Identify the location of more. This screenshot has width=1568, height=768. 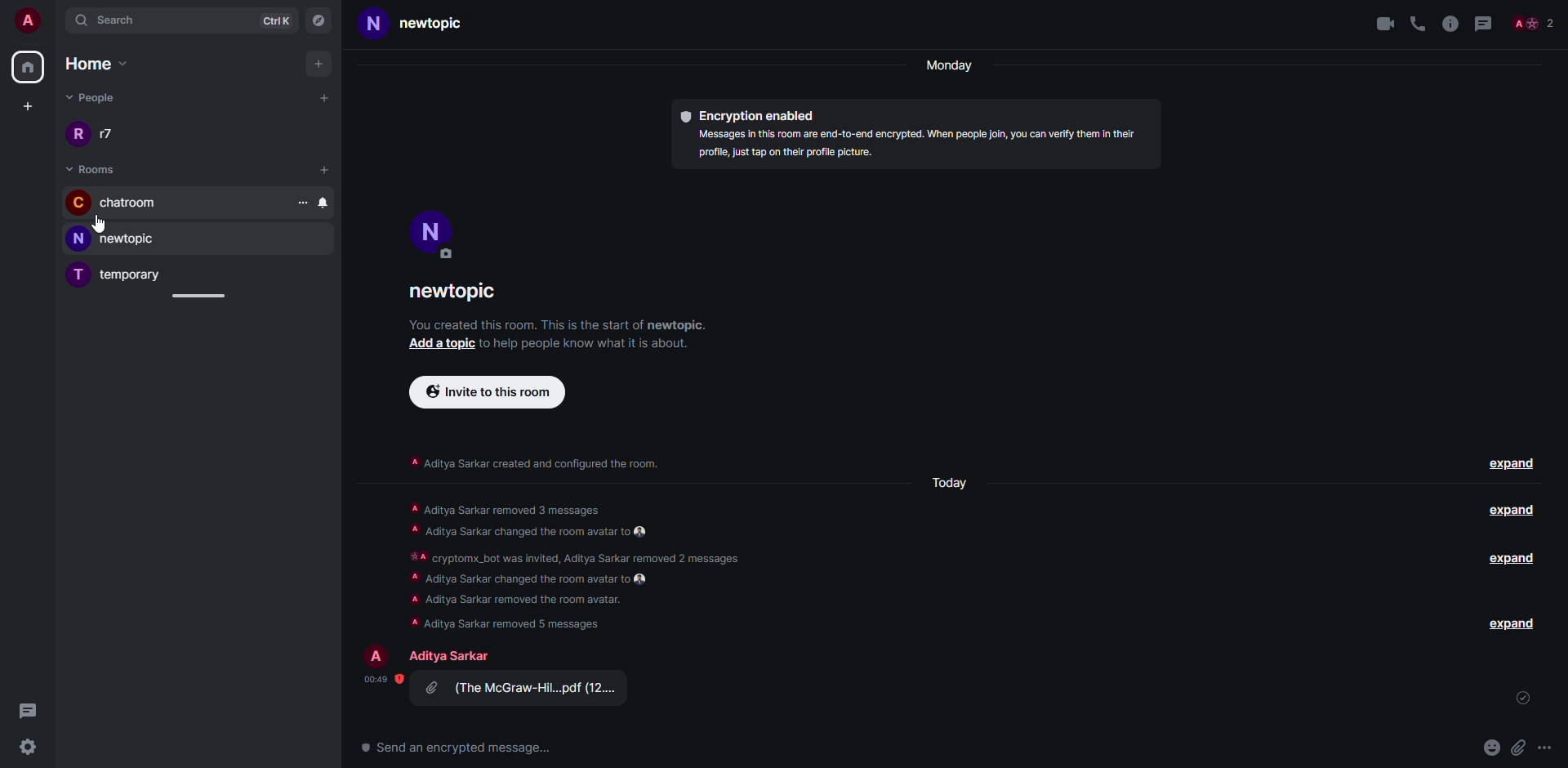
(1549, 744).